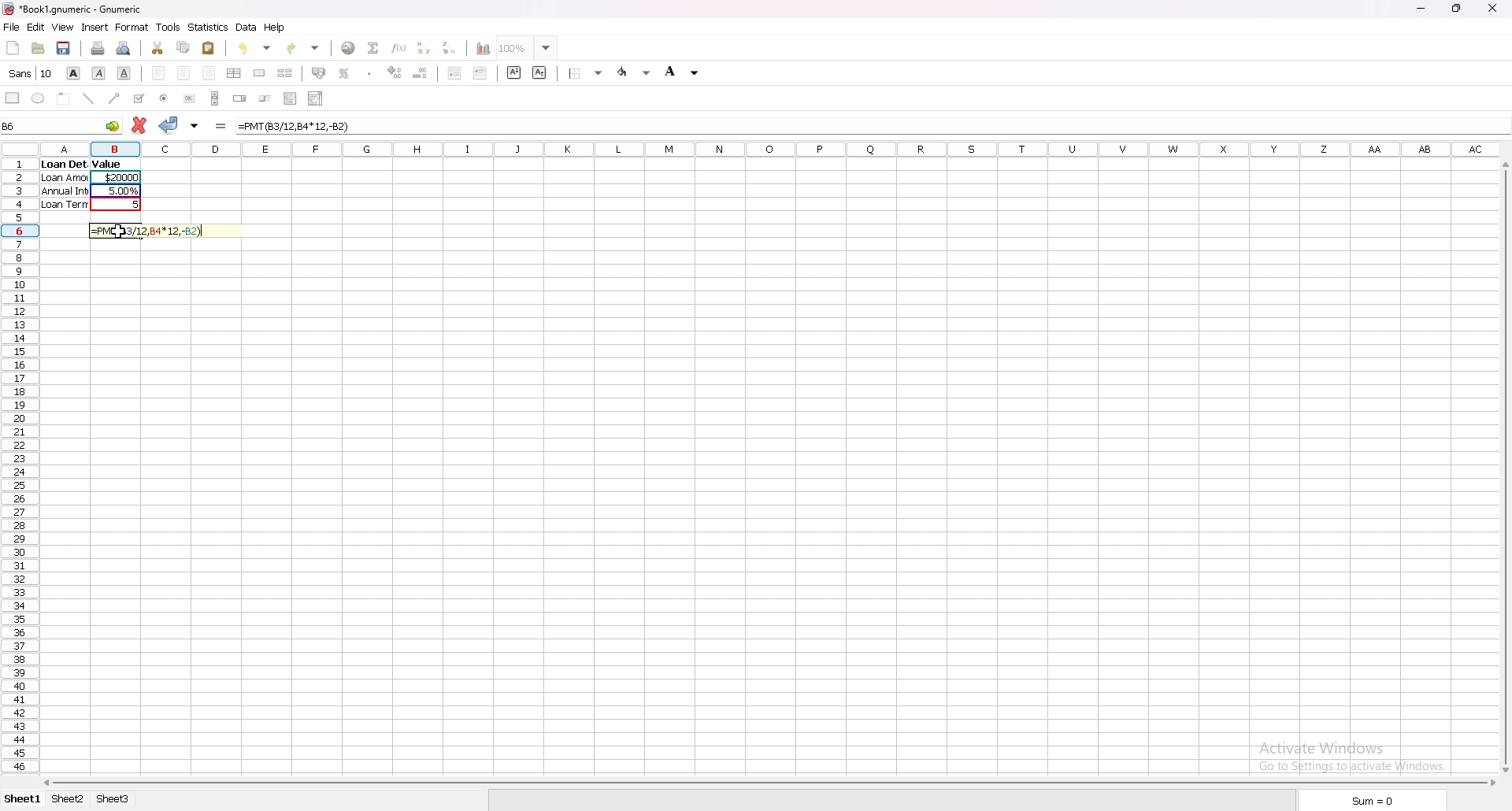  What do you see at coordinates (35, 27) in the screenshot?
I see `edit` at bounding box center [35, 27].